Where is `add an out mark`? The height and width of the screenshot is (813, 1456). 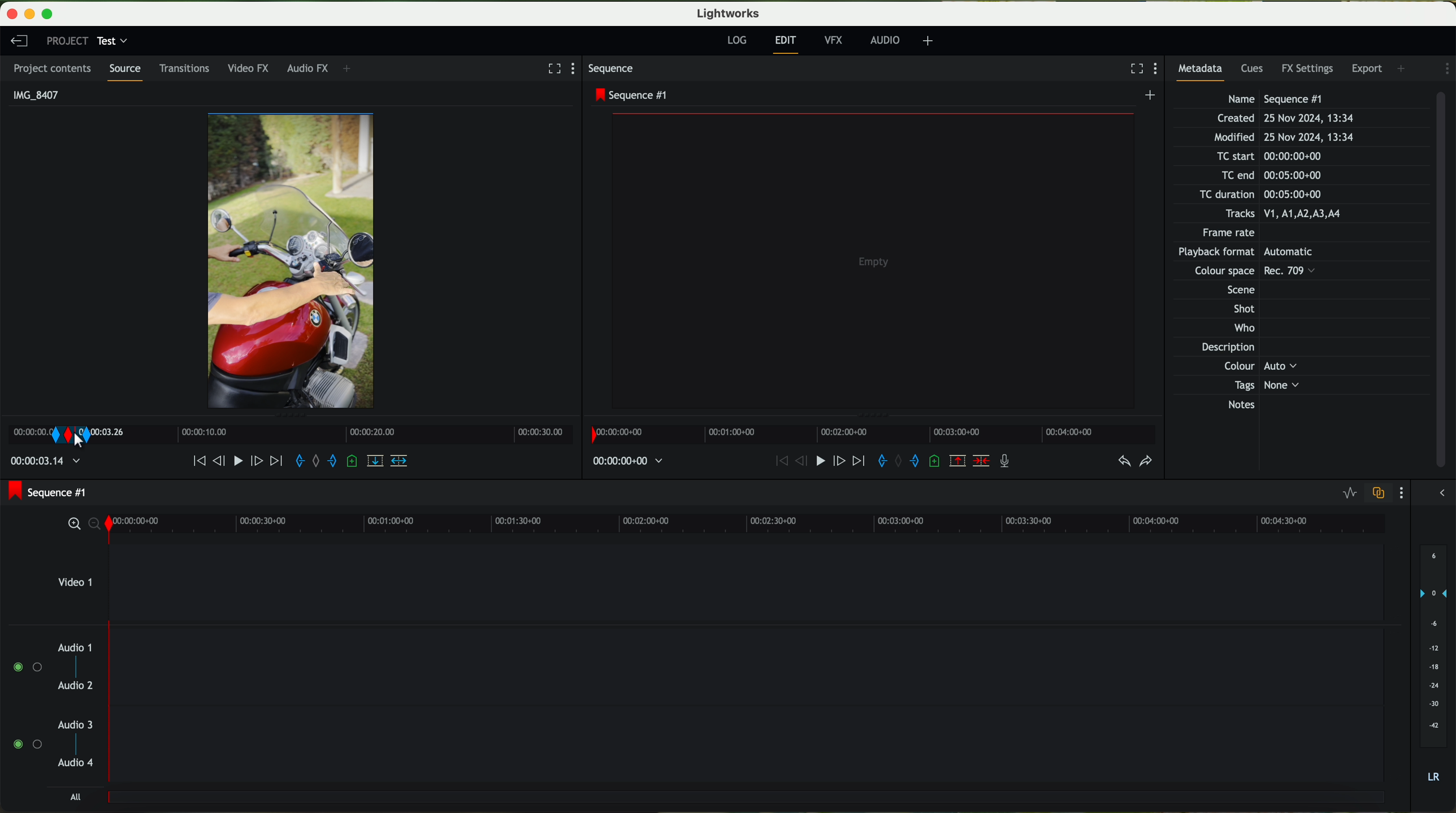
add an out mark is located at coordinates (332, 464).